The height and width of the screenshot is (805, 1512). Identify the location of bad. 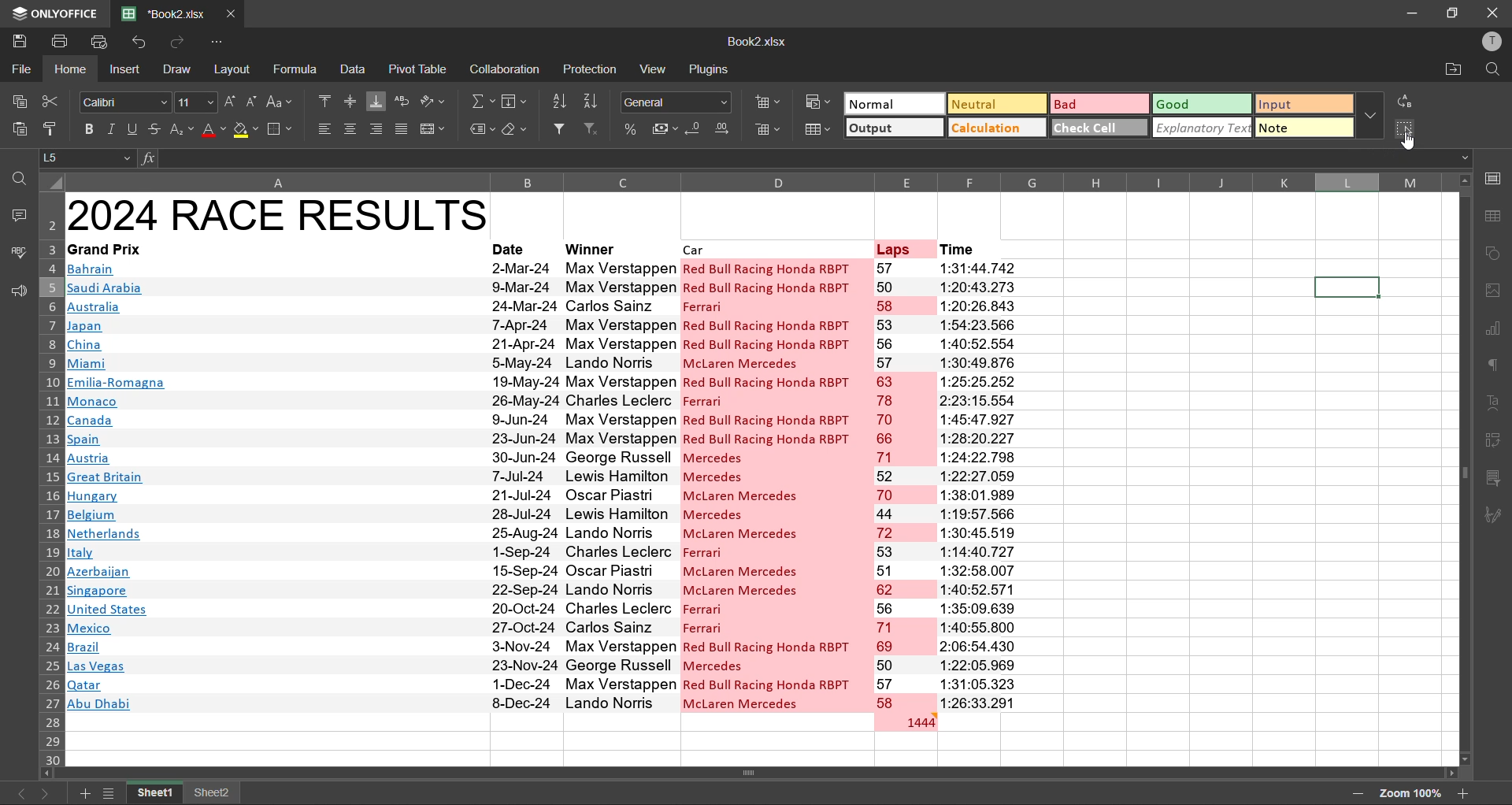
(1099, 103).